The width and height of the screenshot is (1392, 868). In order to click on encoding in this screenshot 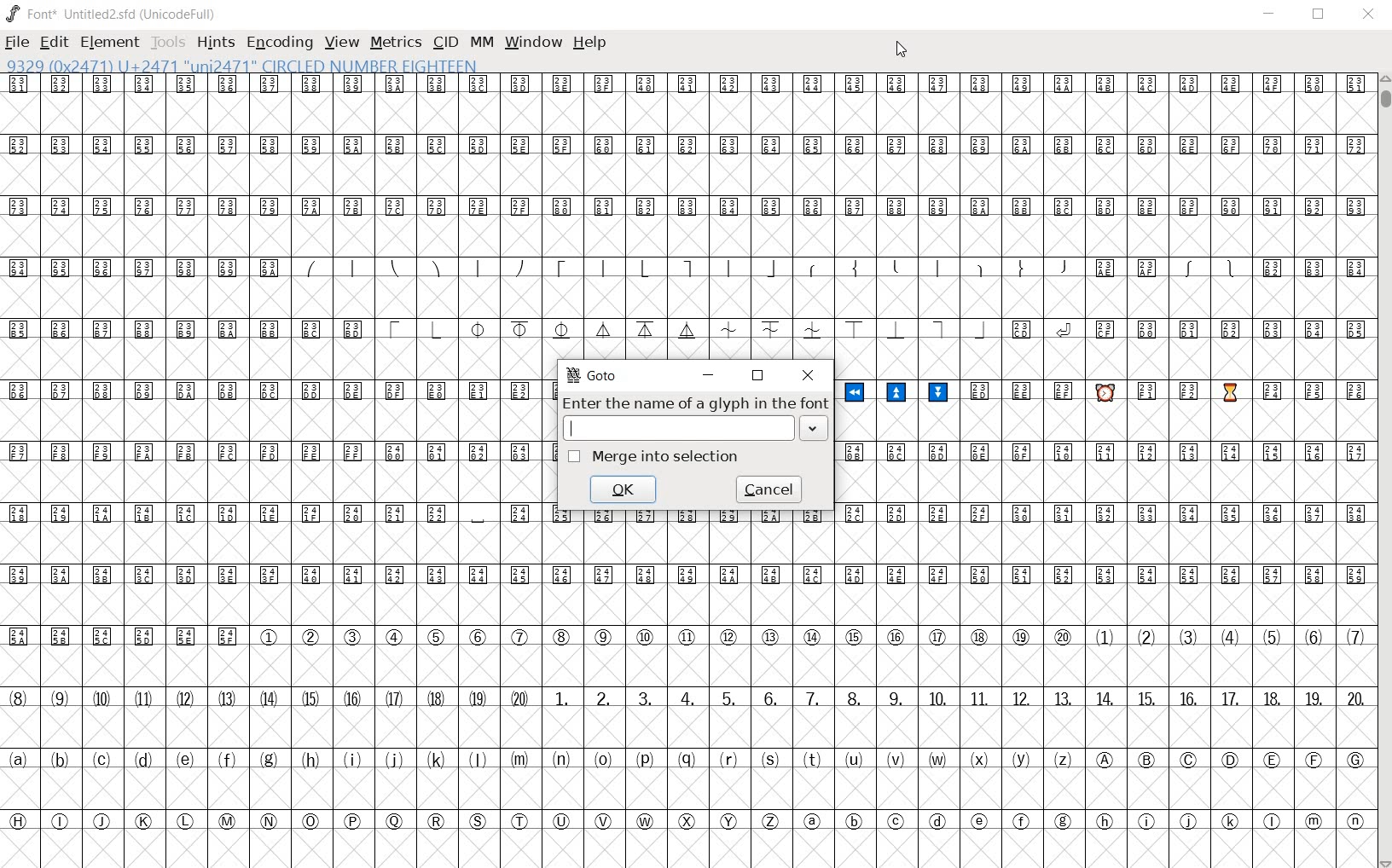, I will do `click(281, 43)`.